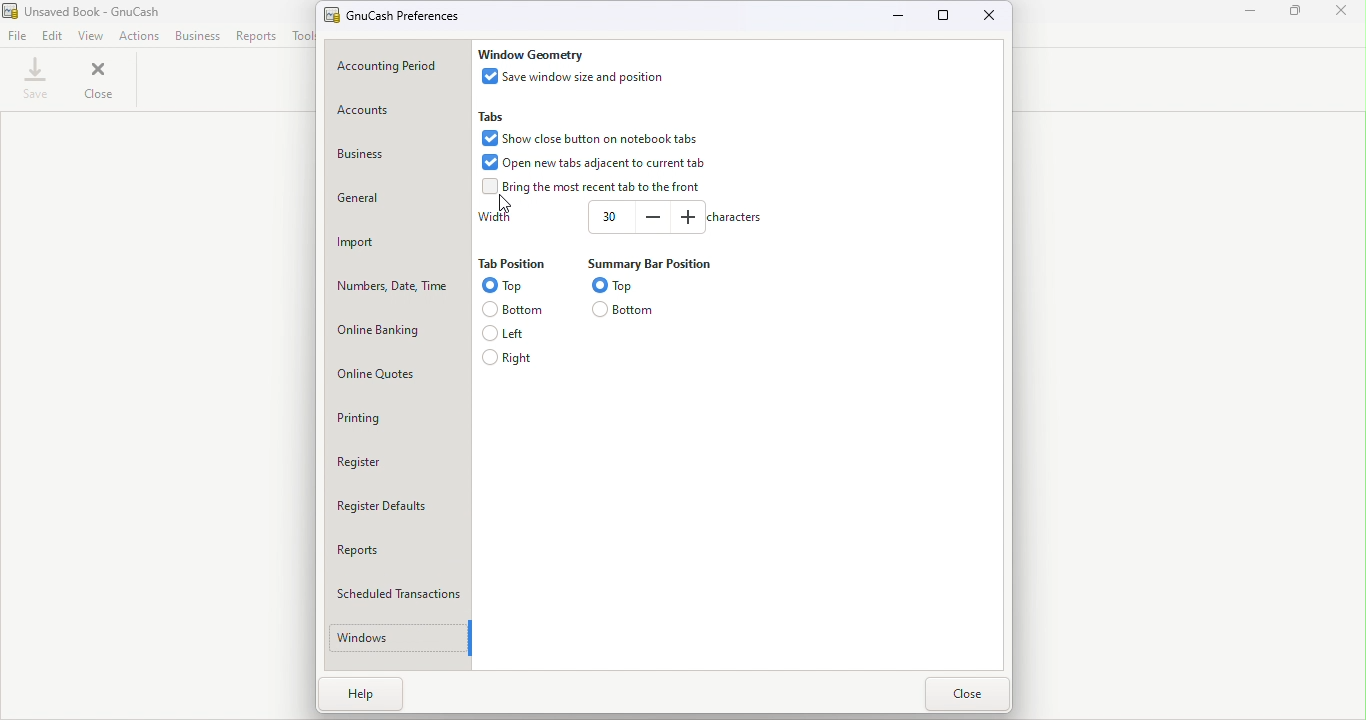  What do you see at coordinates (495, 115) in the screenshot?
I see `Tabs` at bounding box center [495, 115].